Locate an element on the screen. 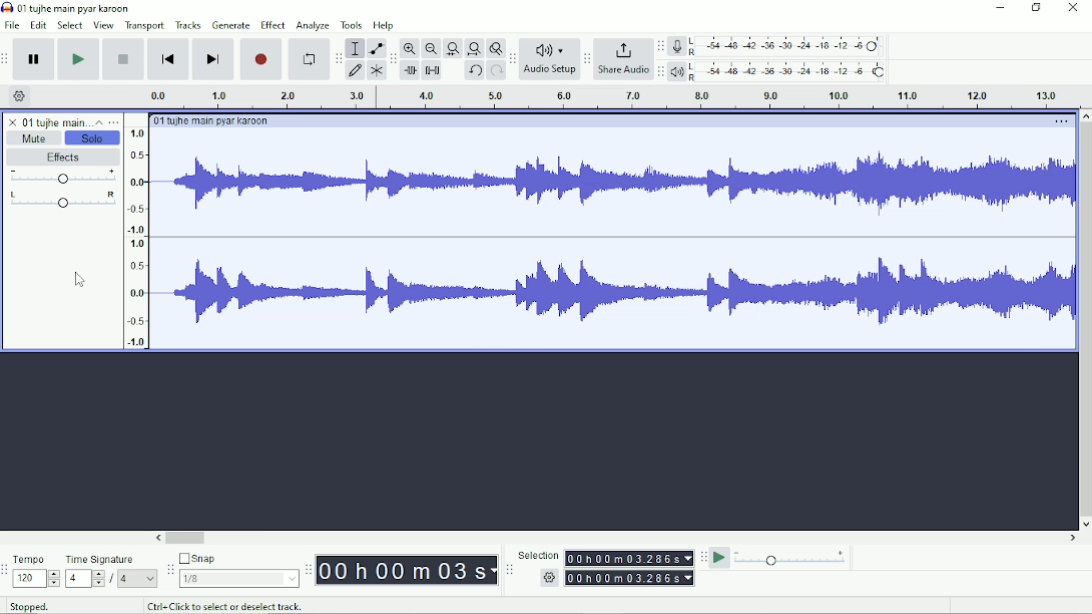 The image size is (1092, 614). Play-at-speed is located at coordinates (719, 559).